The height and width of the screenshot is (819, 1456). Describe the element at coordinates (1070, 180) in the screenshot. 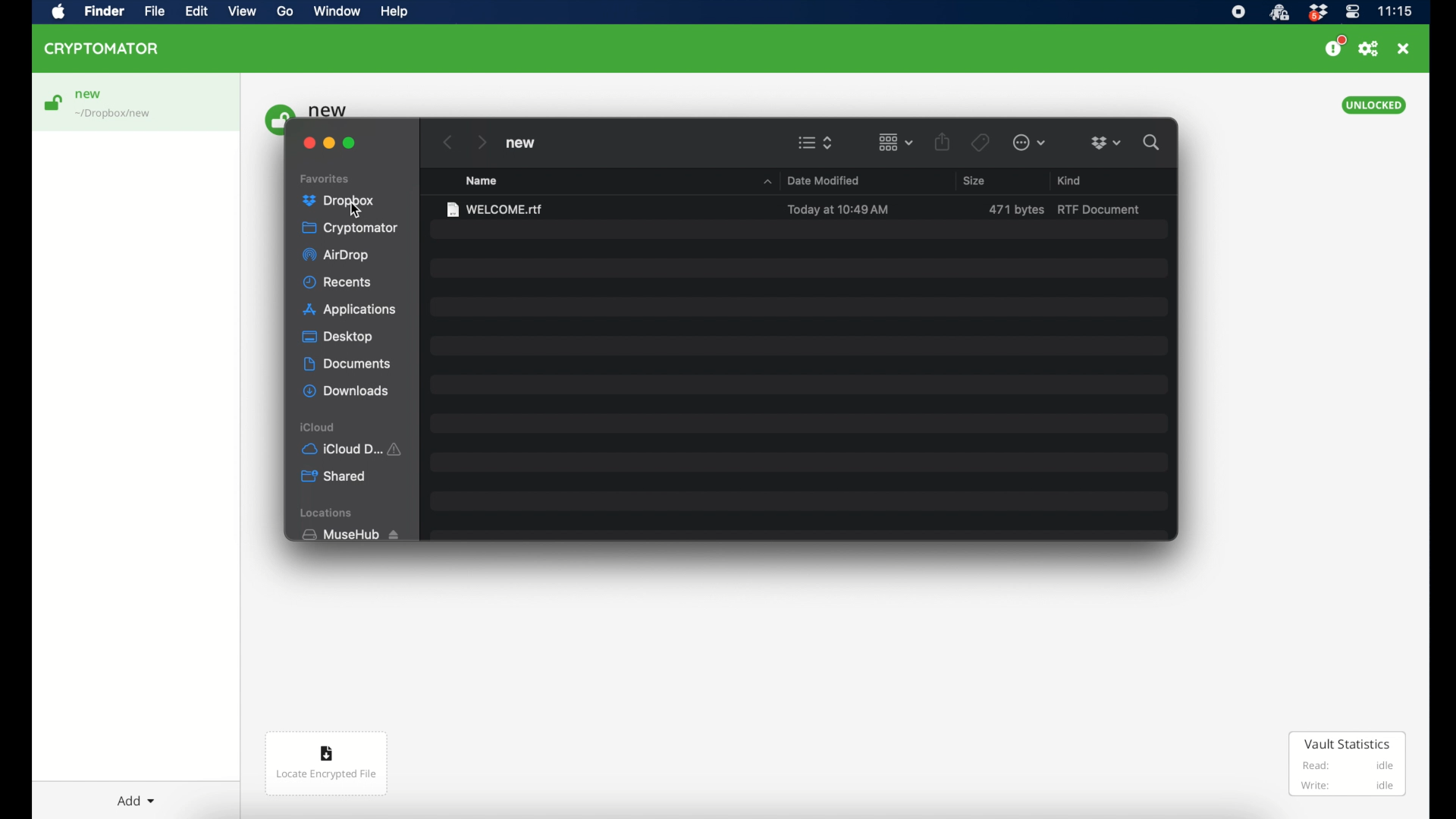

I see `kind` at that location.